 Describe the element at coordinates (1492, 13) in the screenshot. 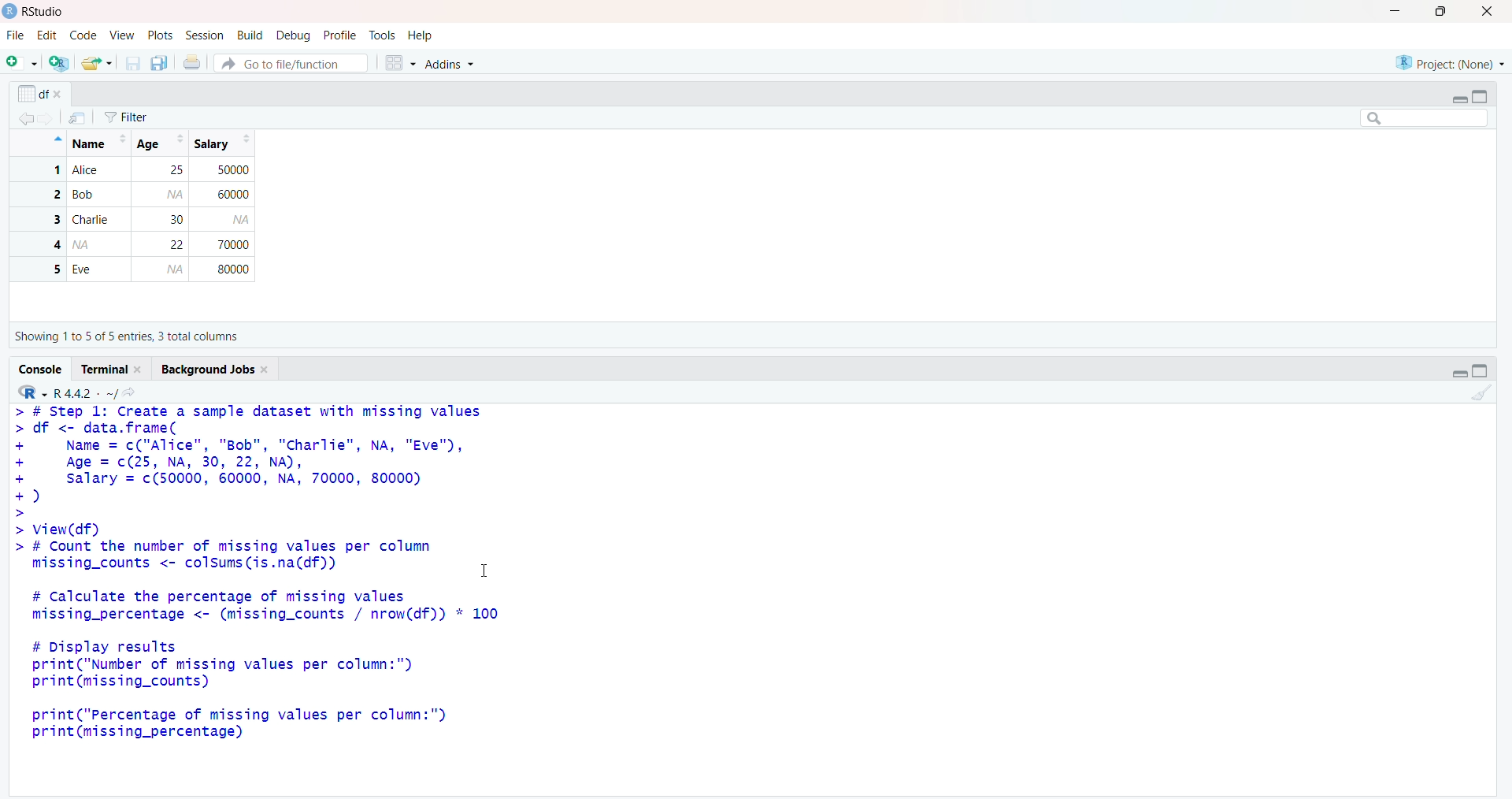

I see `Close` at that location.